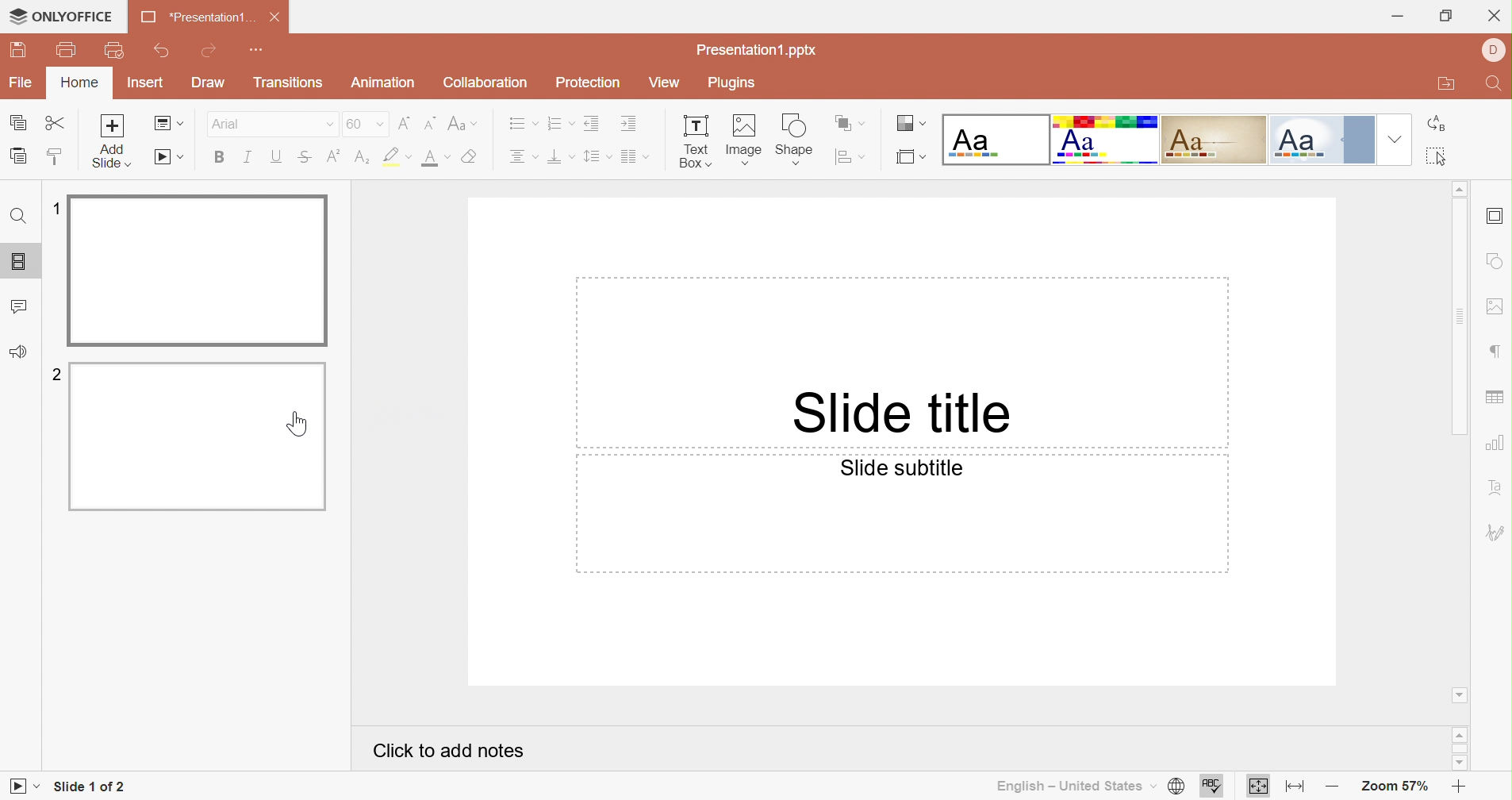 The height and width of the screenshot is (800, 1512). What do you see at coordinates (1318, 140) in the screenshot?
I see `Official` at bounding box center [1318, 140].